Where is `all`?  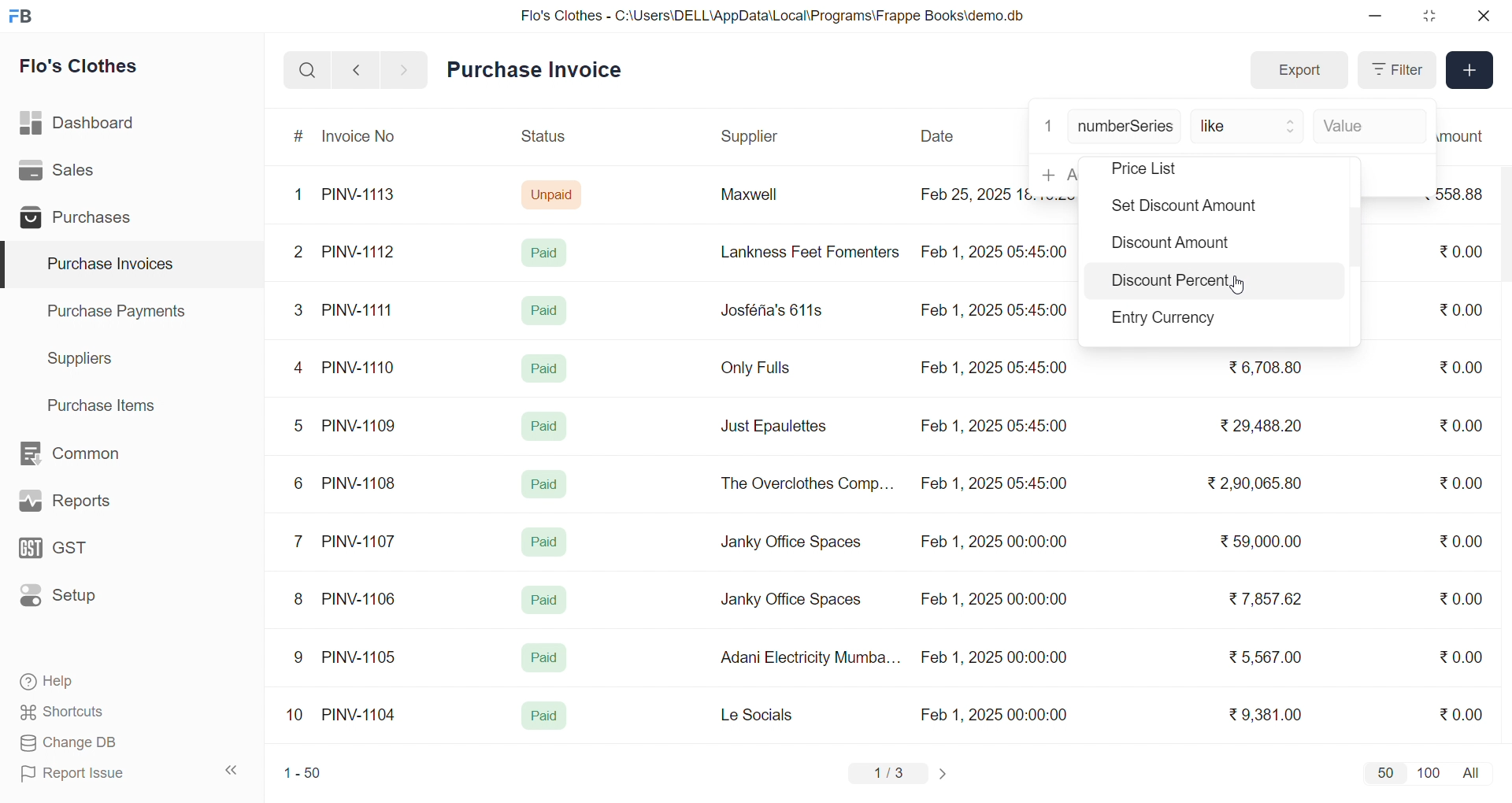
all is located at coordinates (1474, 772).